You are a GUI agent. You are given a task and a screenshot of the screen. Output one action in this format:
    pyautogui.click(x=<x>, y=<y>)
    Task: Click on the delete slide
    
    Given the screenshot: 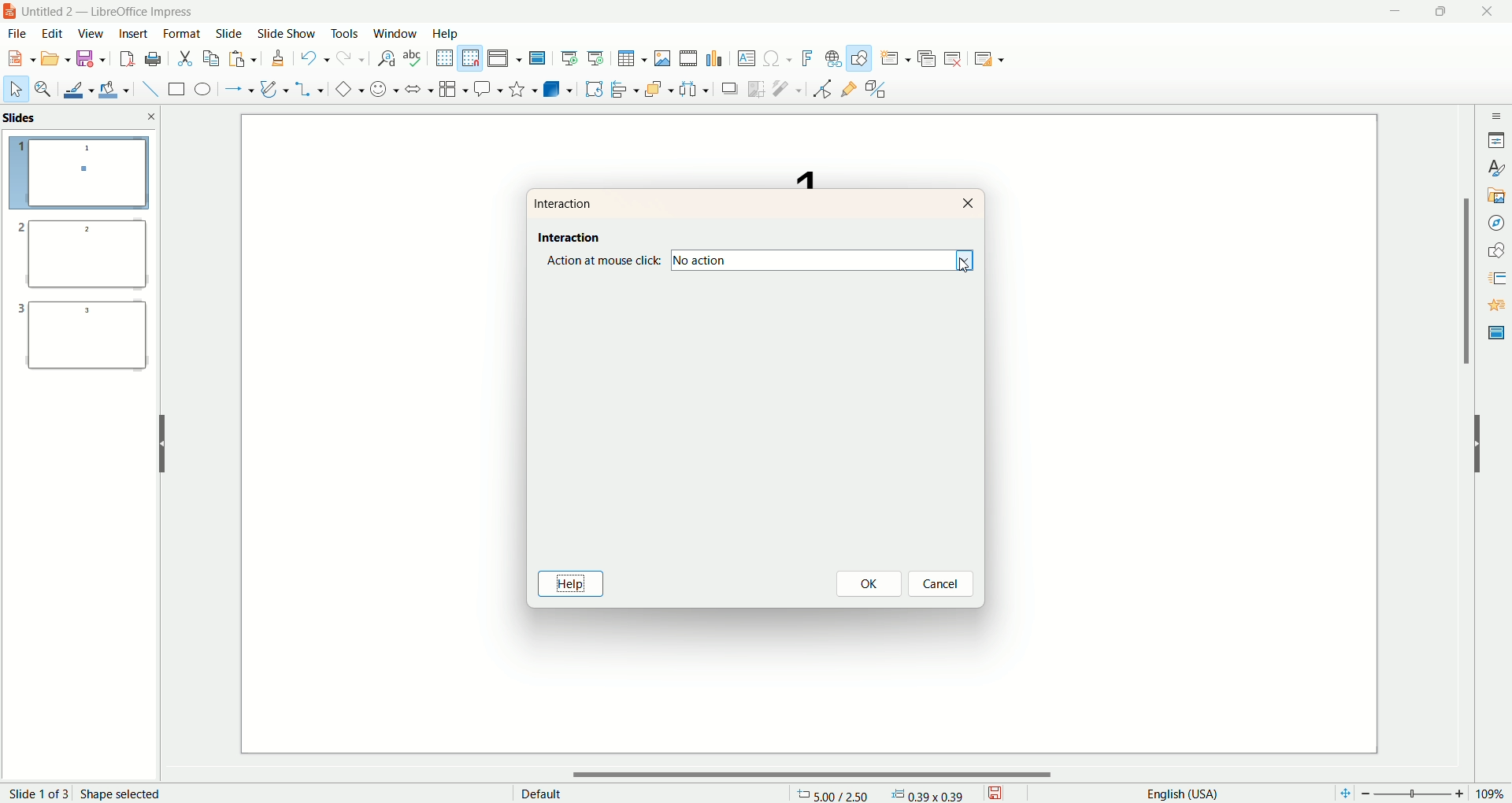 What is the action you would take?
    pyautogui.click(x=956, y=61)
    